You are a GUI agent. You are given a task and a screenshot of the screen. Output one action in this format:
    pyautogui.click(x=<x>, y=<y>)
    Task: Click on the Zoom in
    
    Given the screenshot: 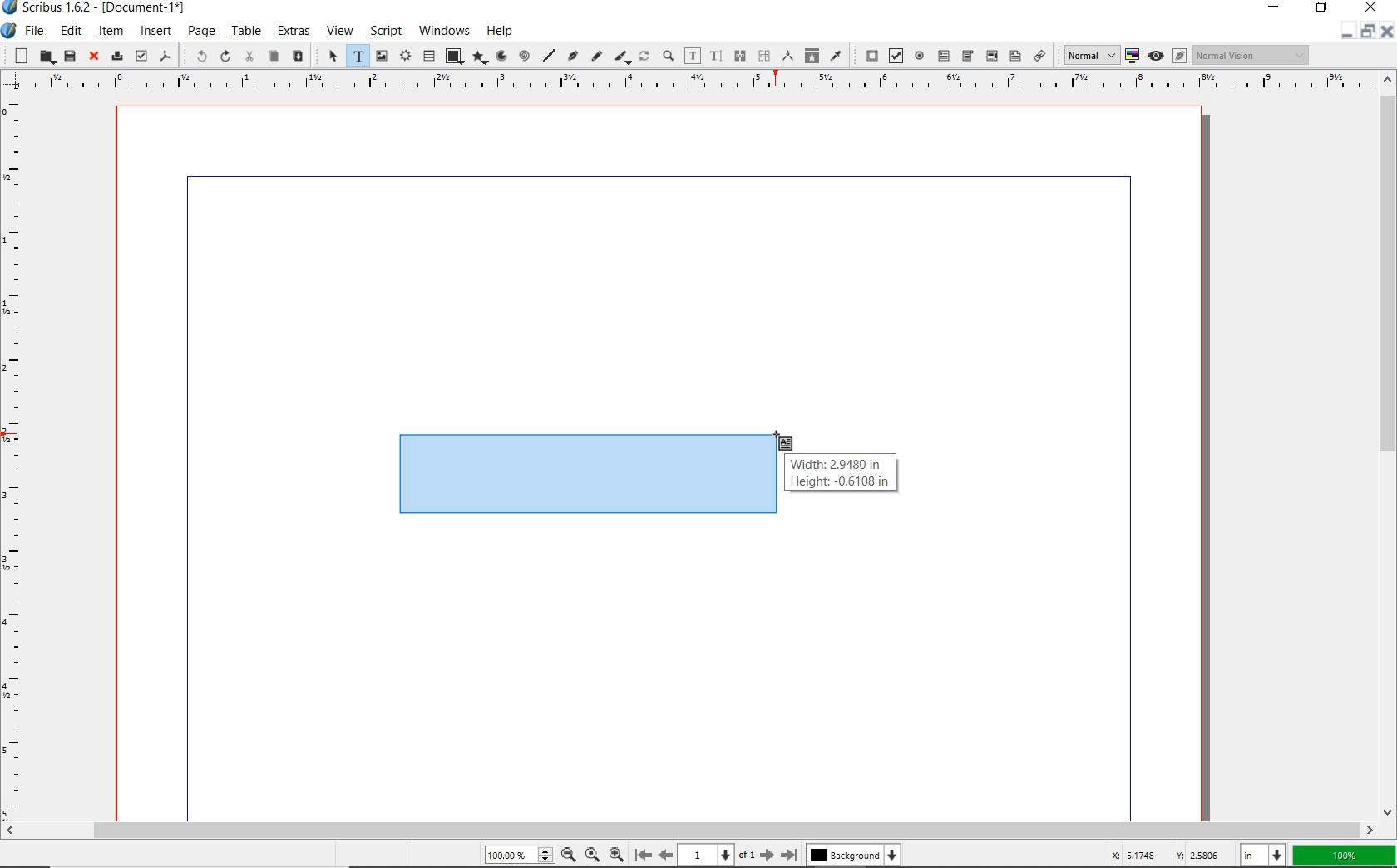 What is the action you would take?
    pyautogui.click(x=616, y=853)
    